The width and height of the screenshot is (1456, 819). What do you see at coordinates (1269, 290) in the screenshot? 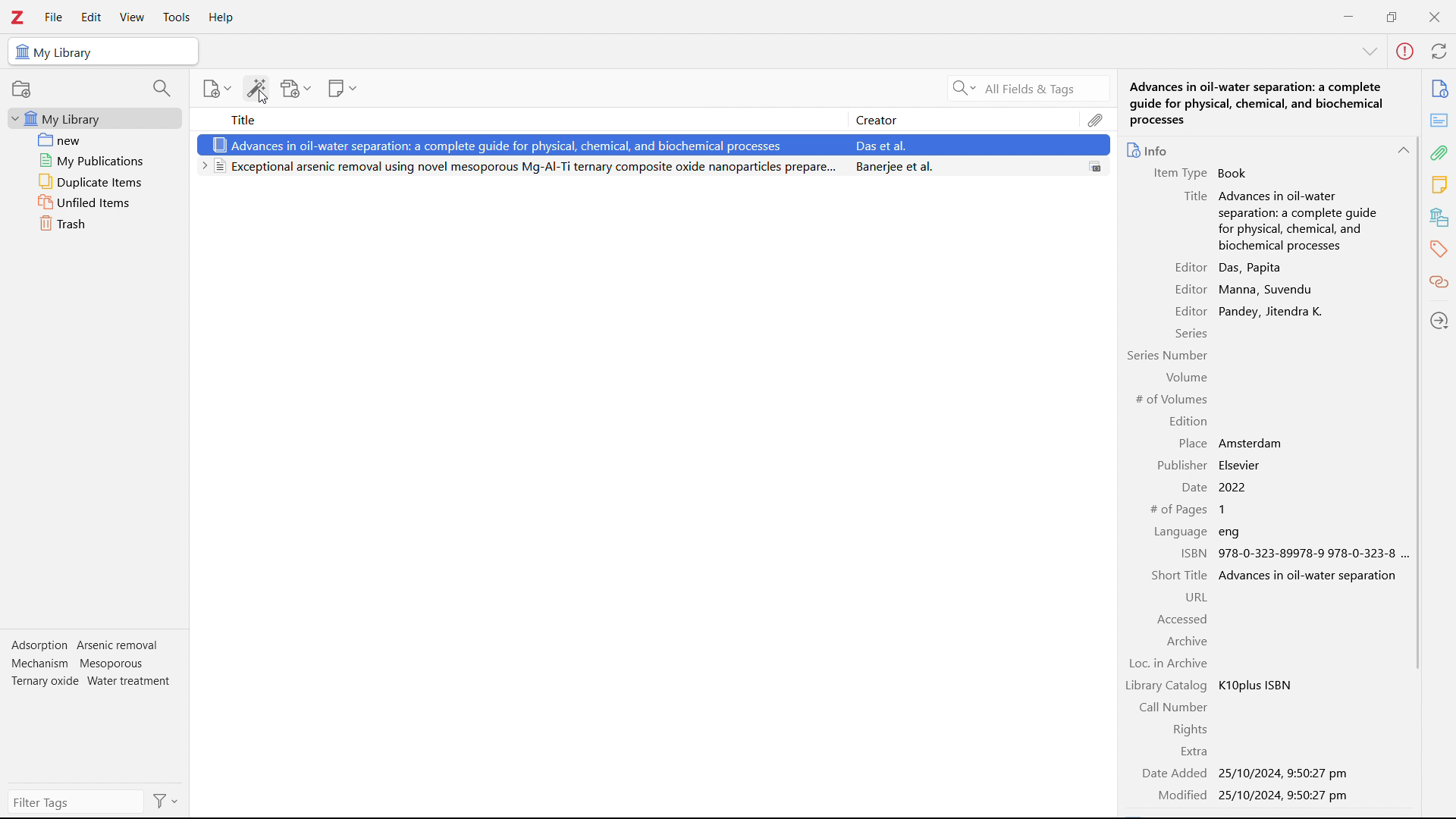
I see `Manna, Suvendu` at bounding box center [1269, 290].